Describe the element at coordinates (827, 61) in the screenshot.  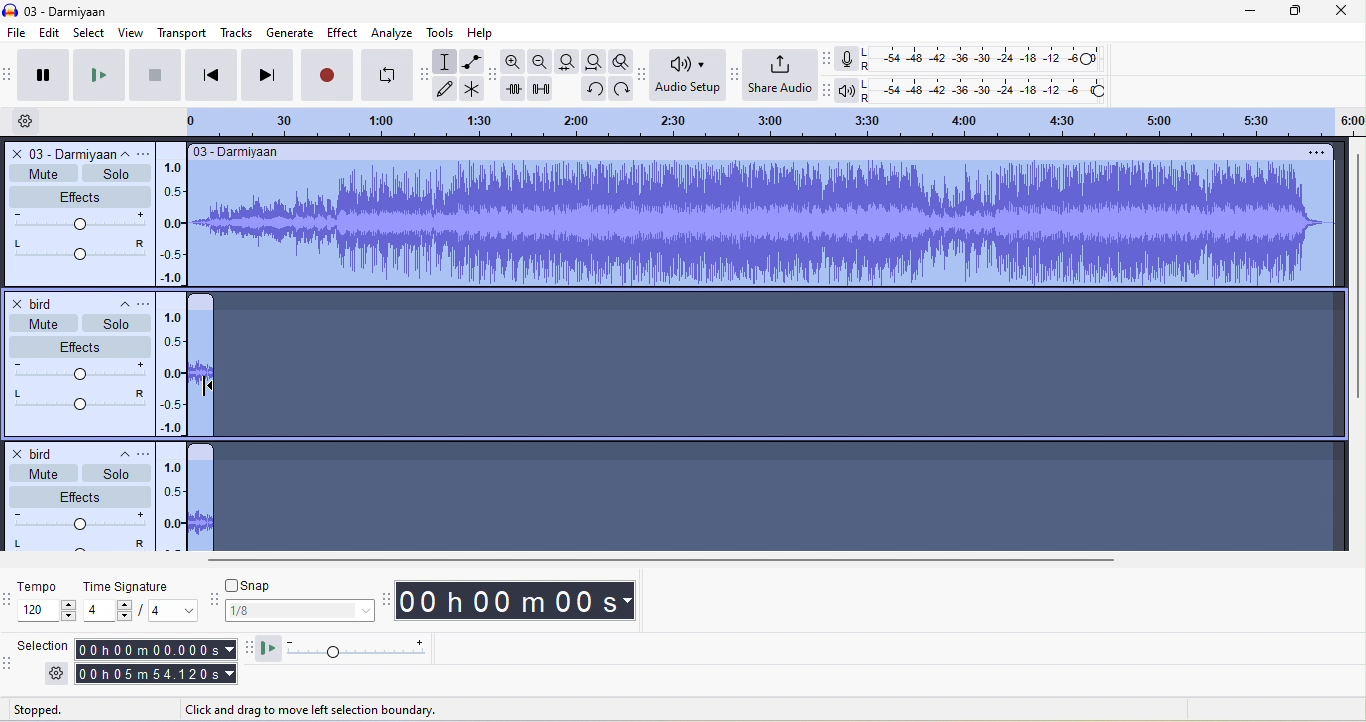
I see `audacity recording meter toolbar` at that location.